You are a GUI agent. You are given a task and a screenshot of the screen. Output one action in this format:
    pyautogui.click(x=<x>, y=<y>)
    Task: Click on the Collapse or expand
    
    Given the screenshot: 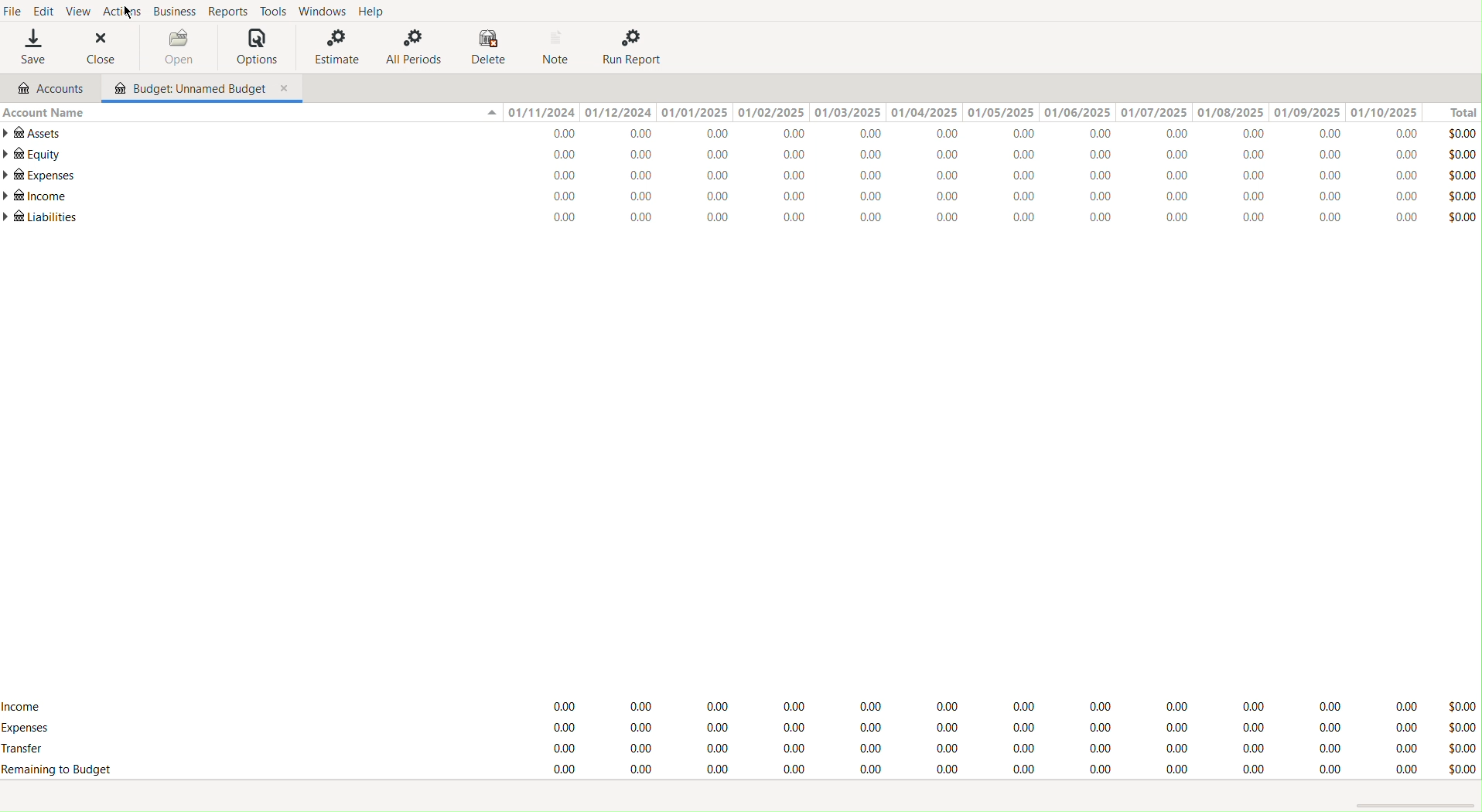 What is the action you would take?
    pyautogui.click(x=490, y=114)
    